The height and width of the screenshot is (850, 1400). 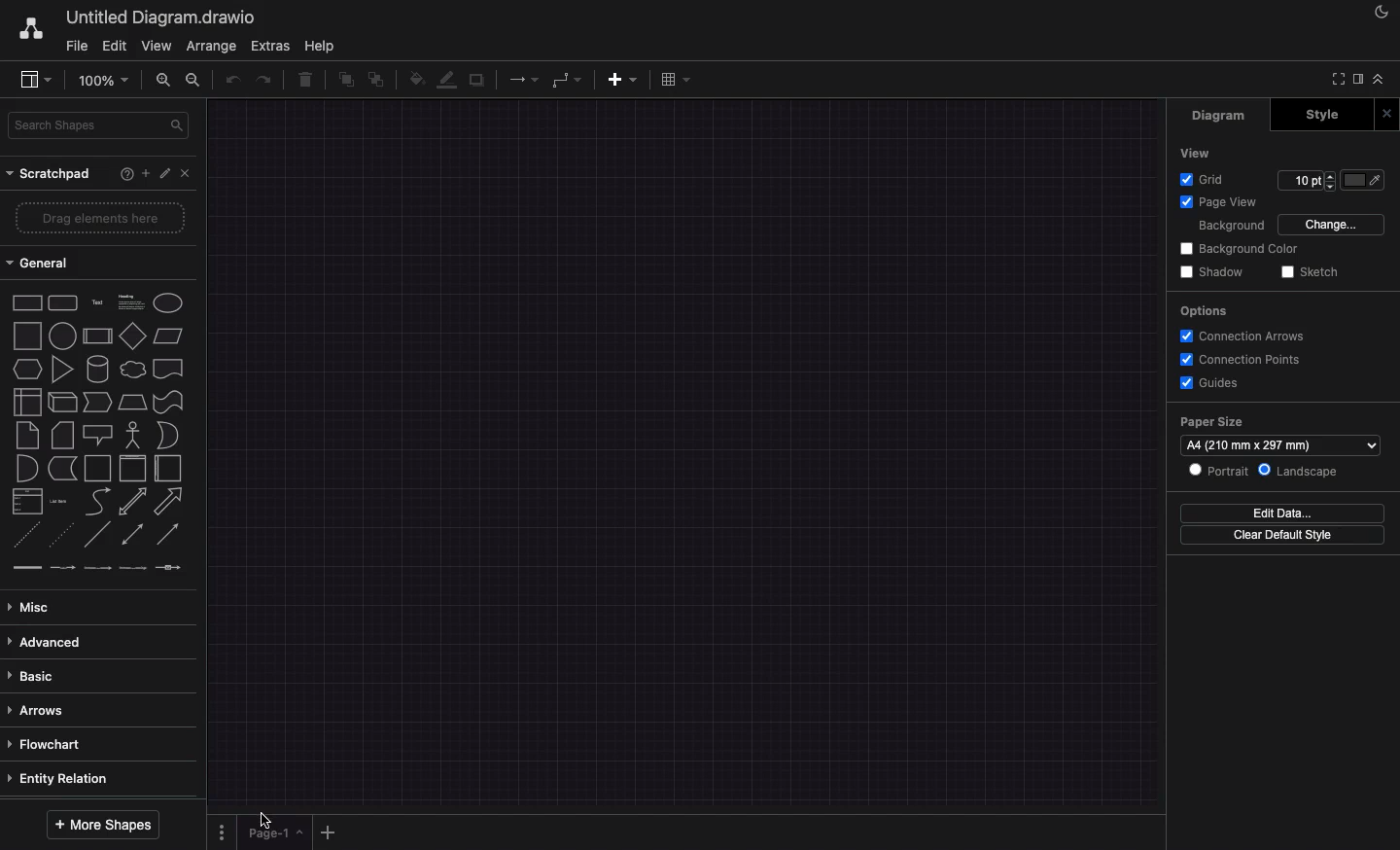 I want to click on basic, so click(x=44, y=675).